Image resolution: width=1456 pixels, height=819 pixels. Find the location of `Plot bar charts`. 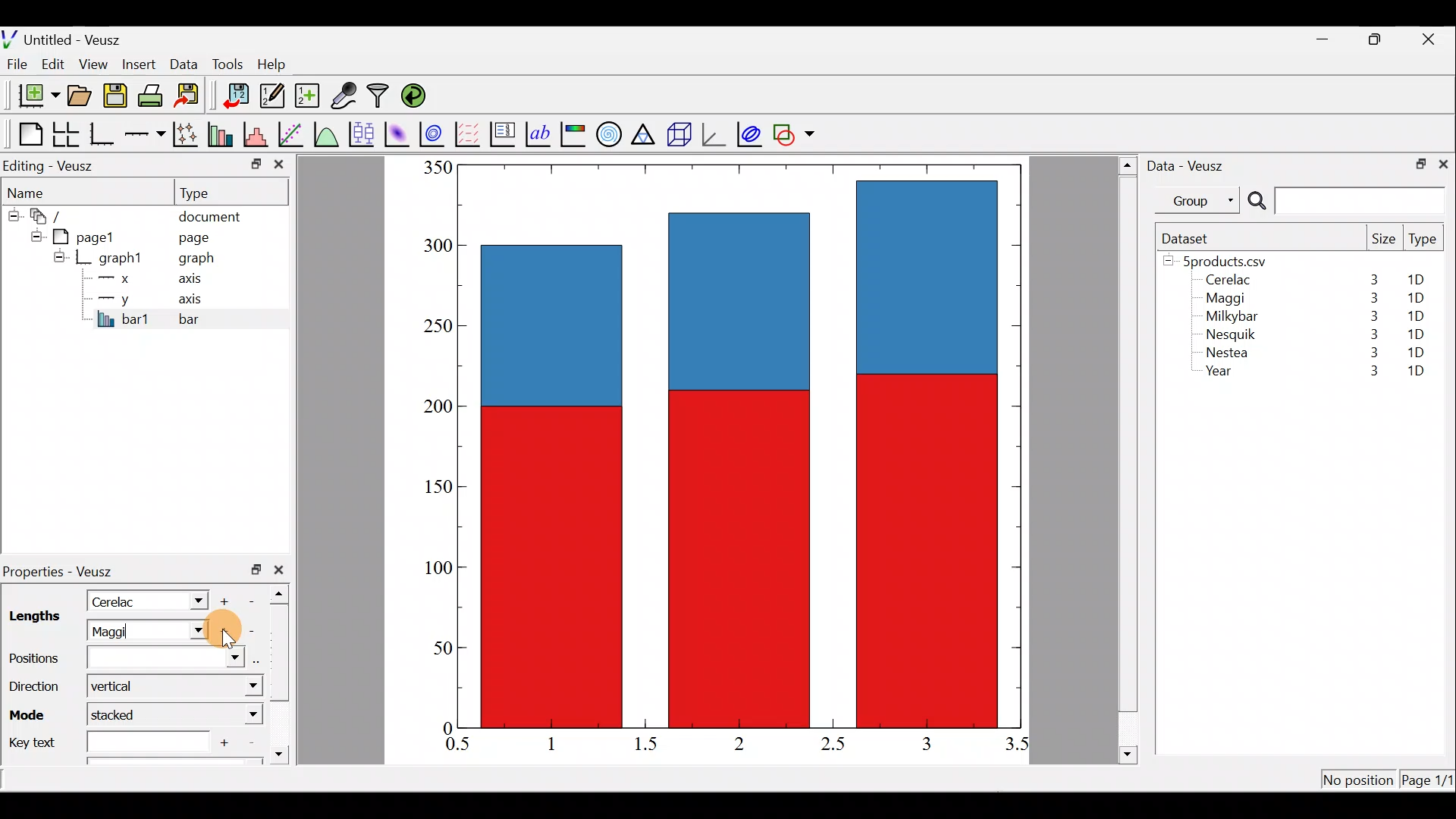

Plot bar charts is located at coordinates (222, 133).